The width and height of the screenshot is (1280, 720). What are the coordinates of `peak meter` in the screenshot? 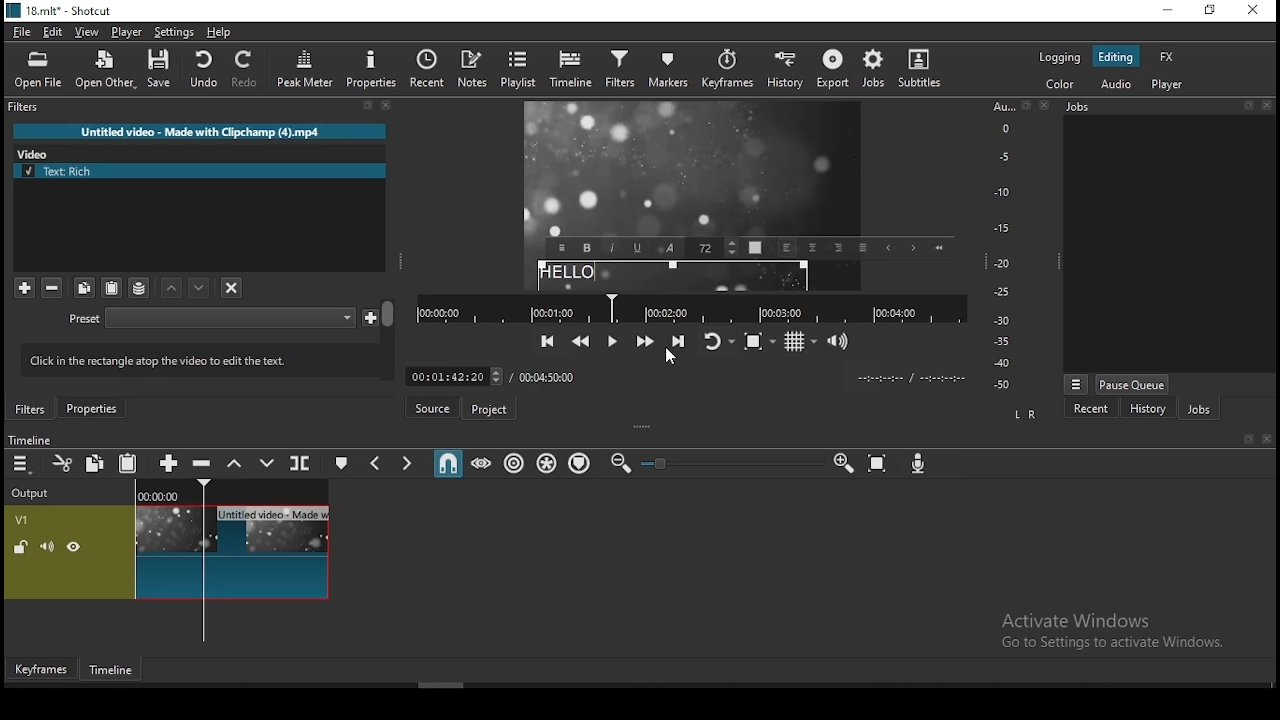 It's located at (305, 68).